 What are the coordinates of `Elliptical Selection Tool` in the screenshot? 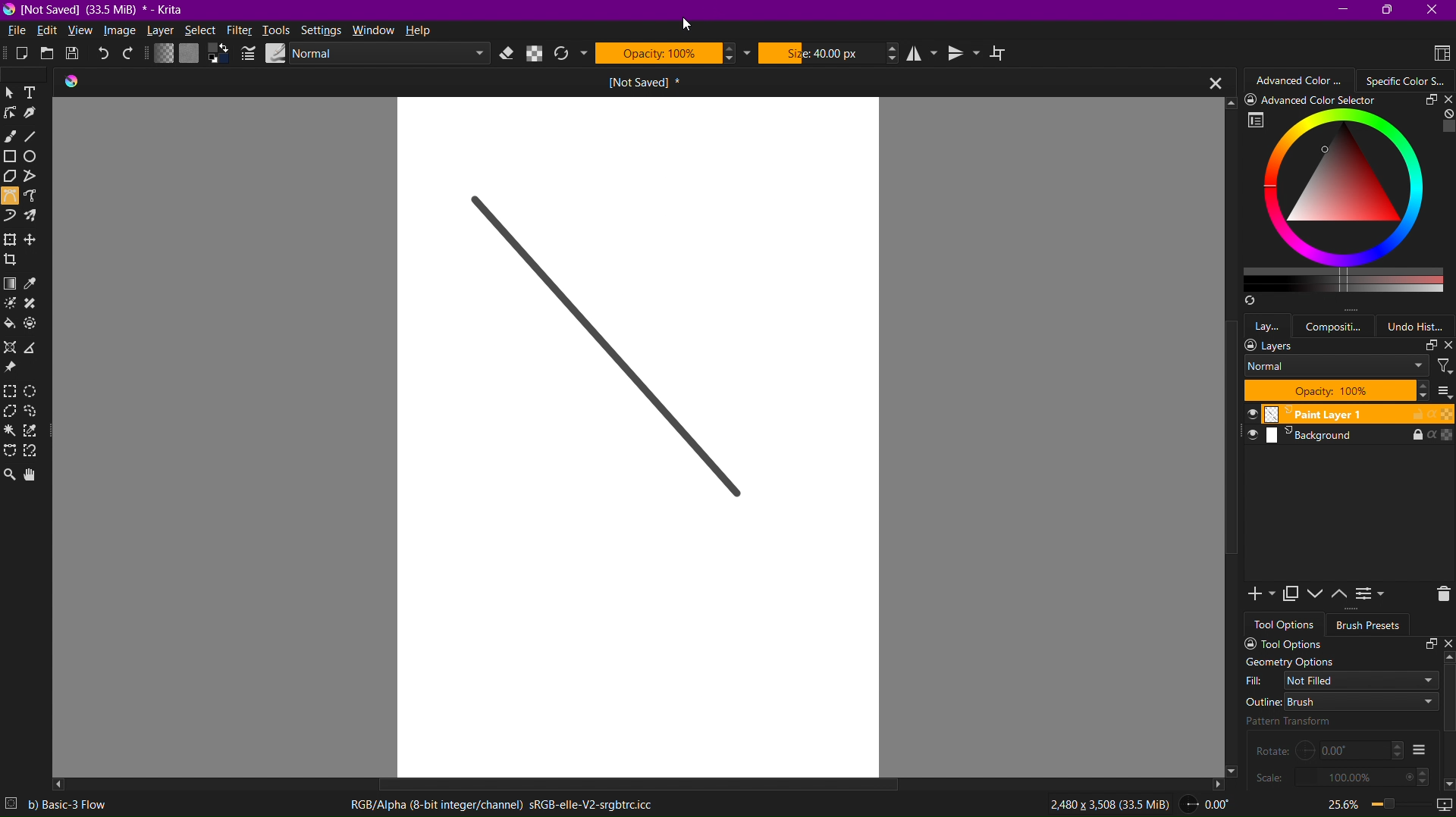 It's located at (37, 390).